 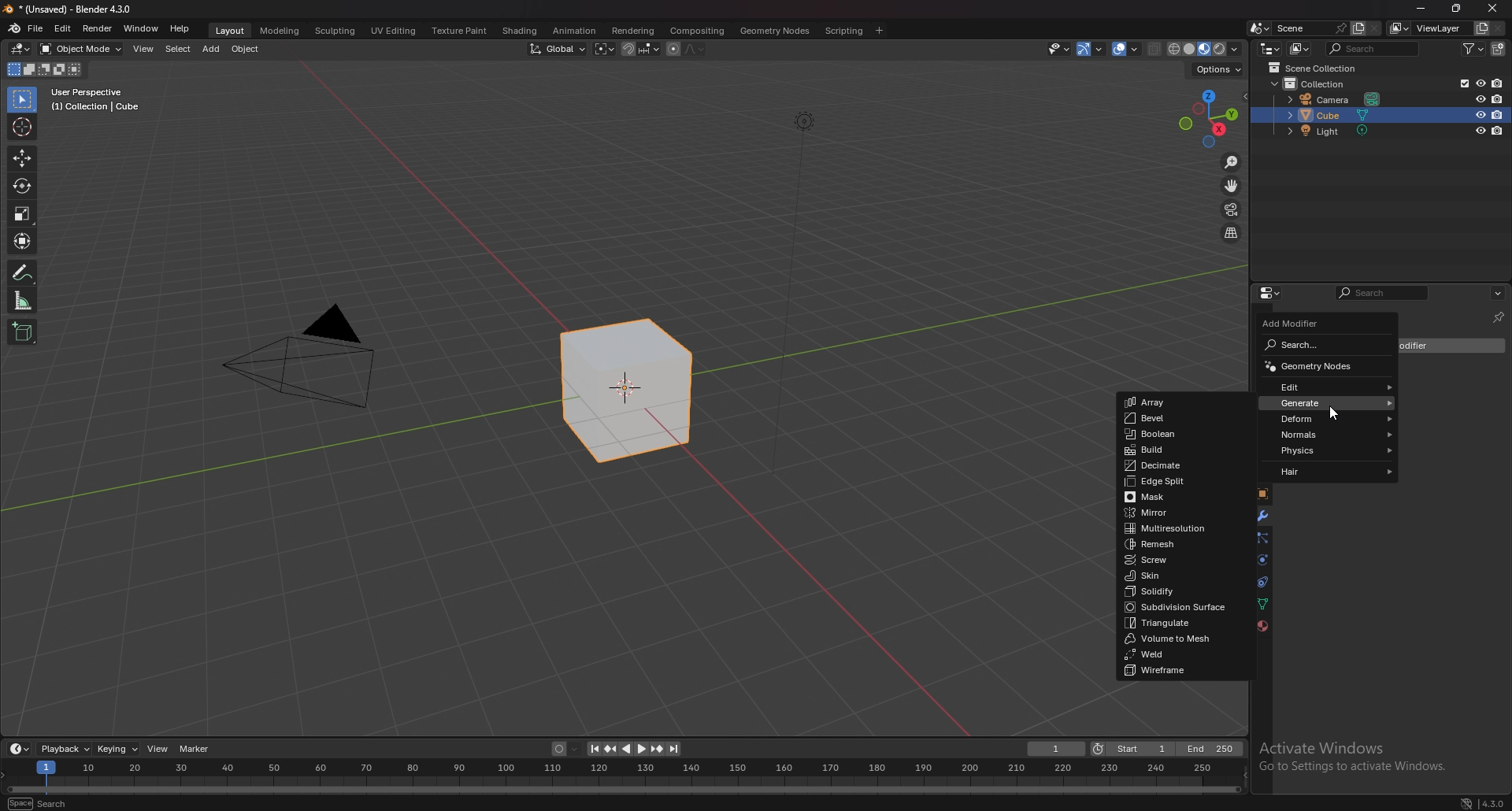 I want to click on triangulate, so click(x=1182, y=622).